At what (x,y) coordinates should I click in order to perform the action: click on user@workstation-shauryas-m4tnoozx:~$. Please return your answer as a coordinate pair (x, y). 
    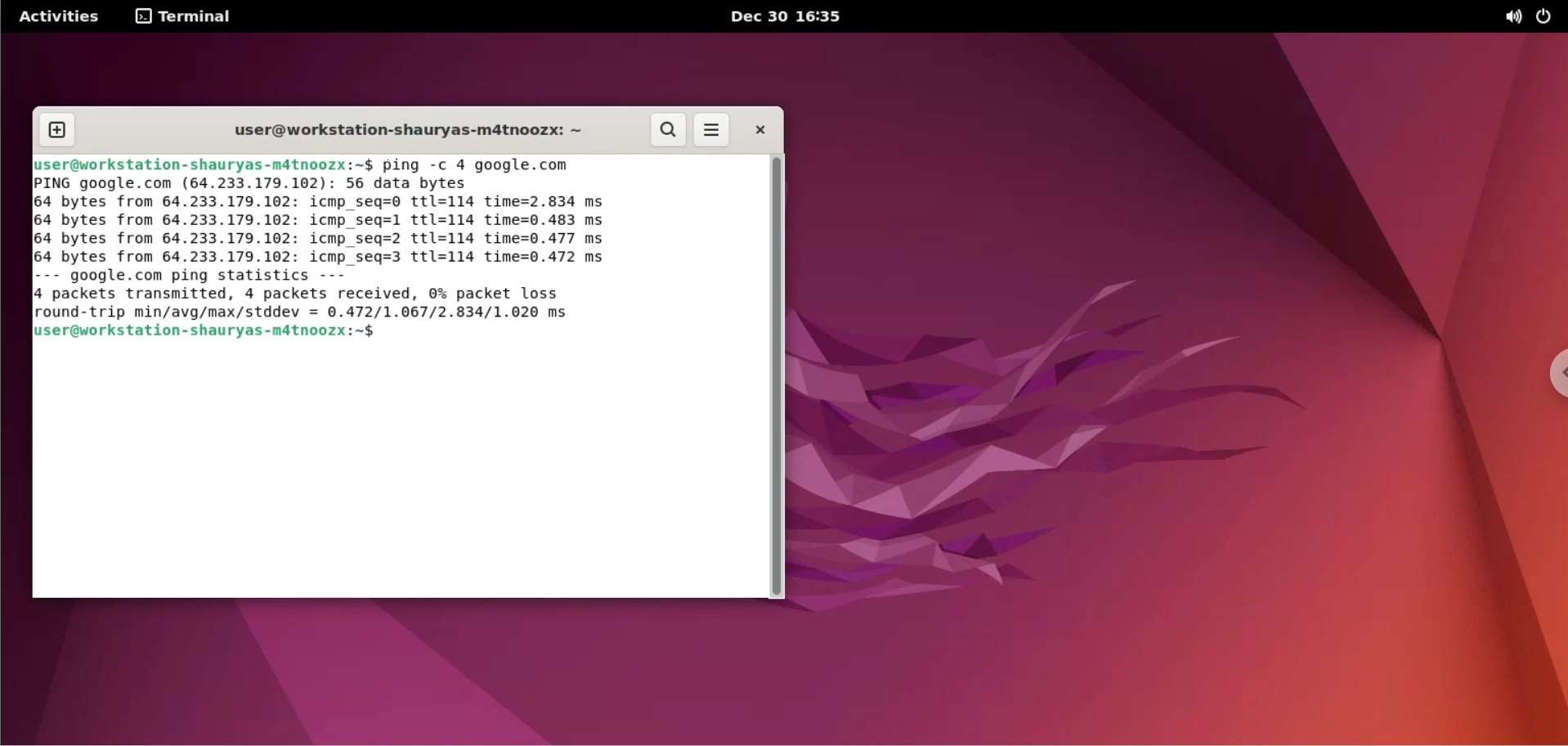
    Looking at the image, I should click on (228, 330).